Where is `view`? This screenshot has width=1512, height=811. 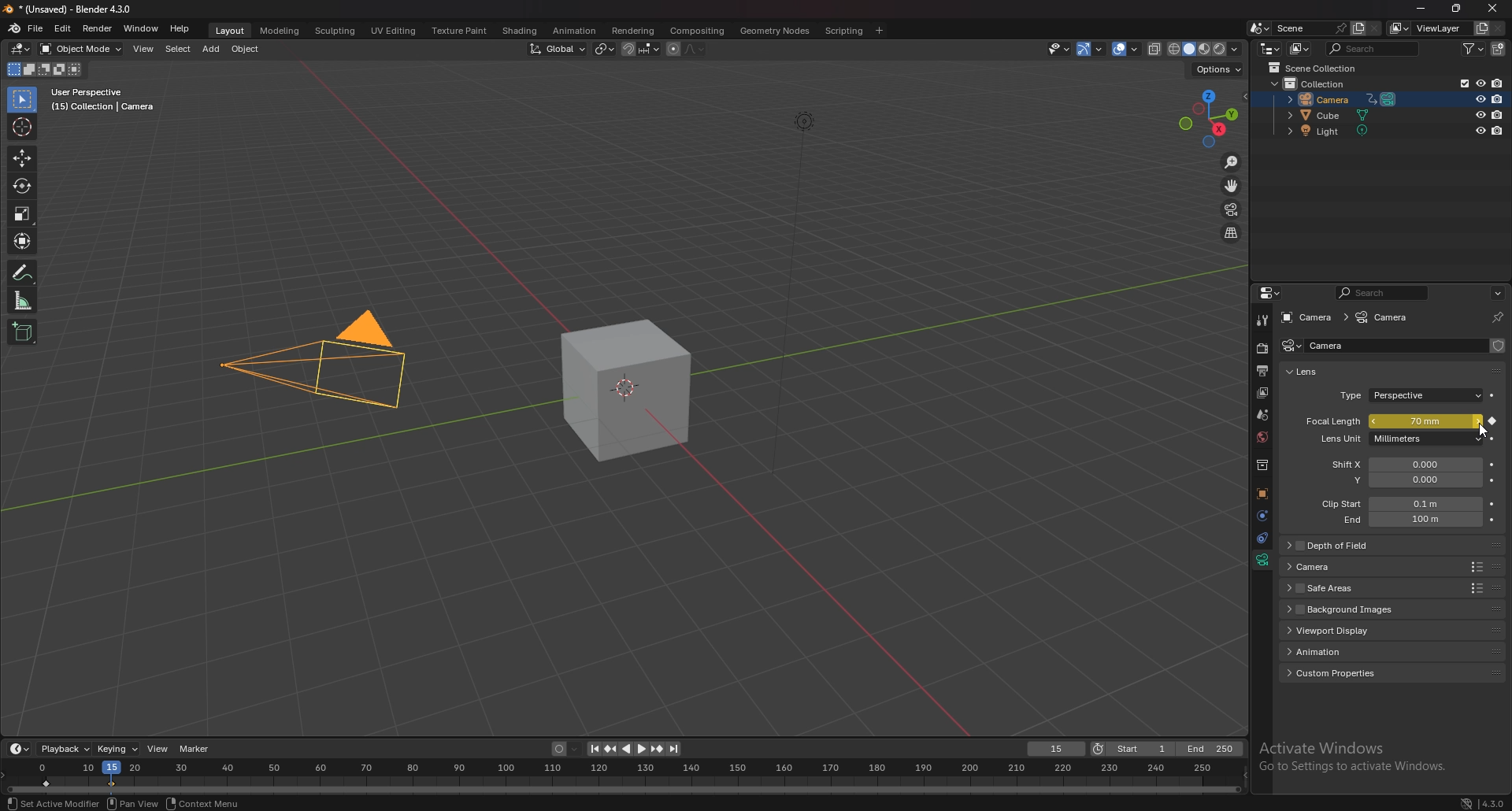 view is located at coordinates (157, 749).